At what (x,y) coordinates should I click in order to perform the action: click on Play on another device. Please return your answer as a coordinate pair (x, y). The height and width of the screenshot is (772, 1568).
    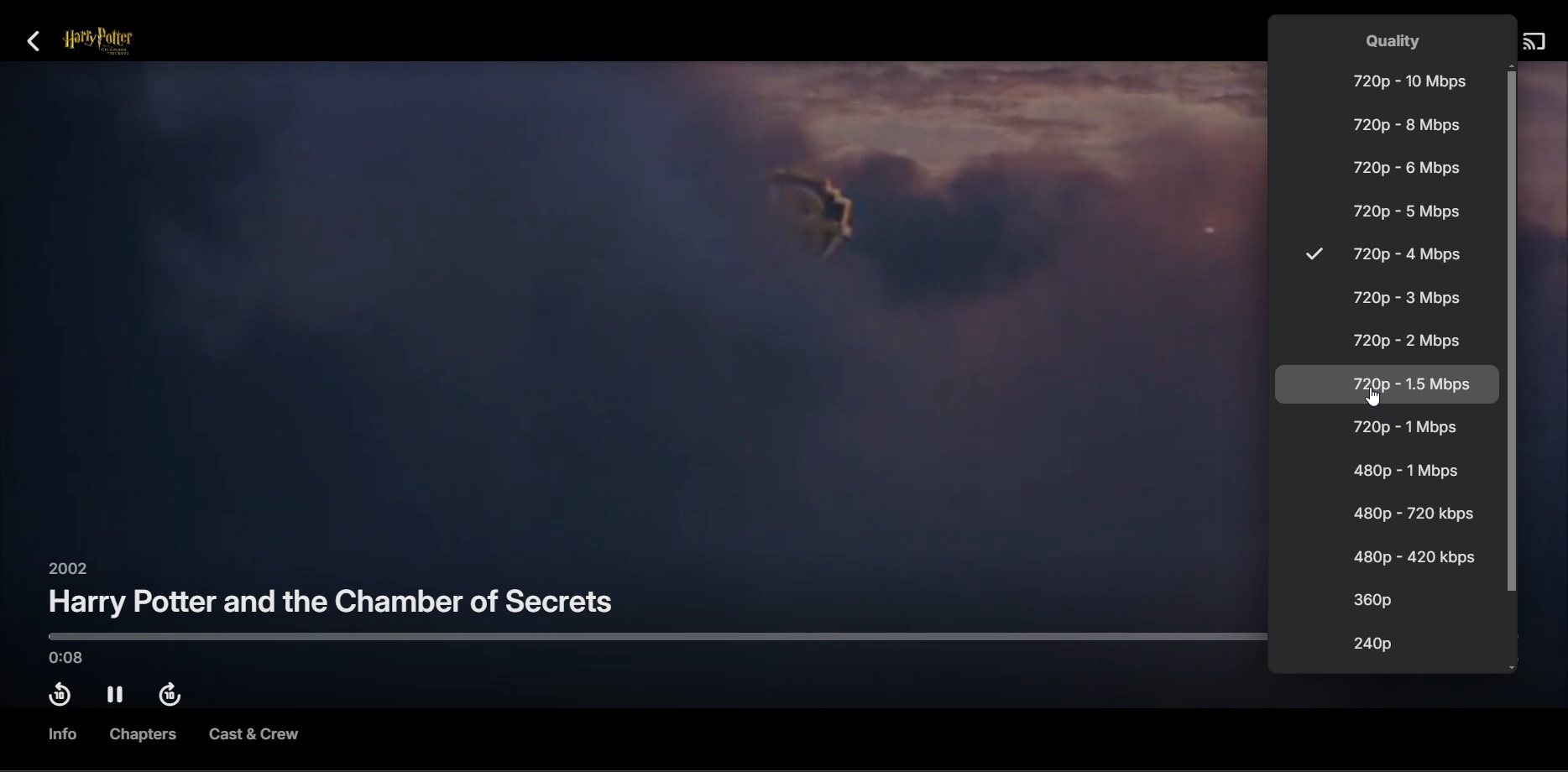
    Looking at the image, I should click on (1533, 43).